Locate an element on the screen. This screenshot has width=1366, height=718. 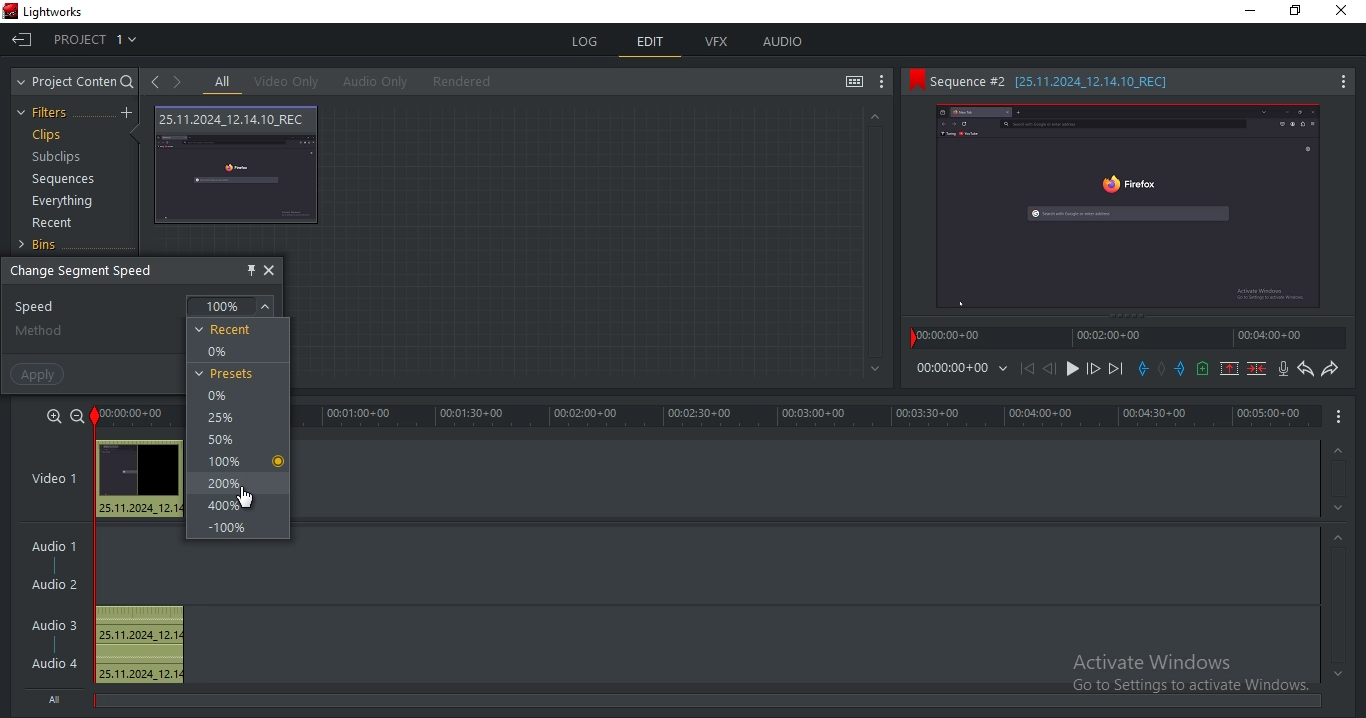
nudge one frame forward is located at coordinates (1092, 369).